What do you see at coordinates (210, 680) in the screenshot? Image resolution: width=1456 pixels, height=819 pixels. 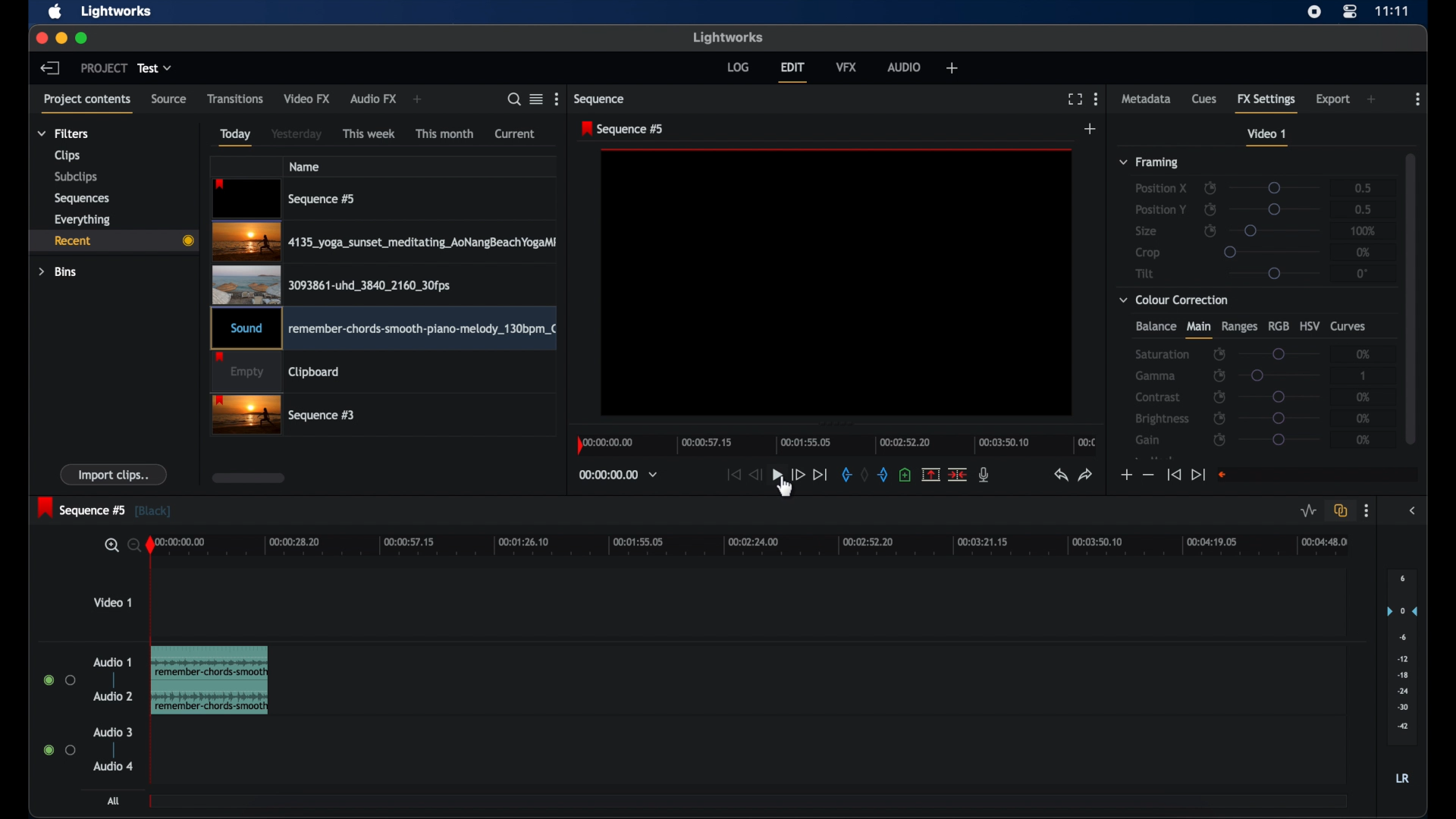 I see `audio clip` at bounding box center [210, 680].